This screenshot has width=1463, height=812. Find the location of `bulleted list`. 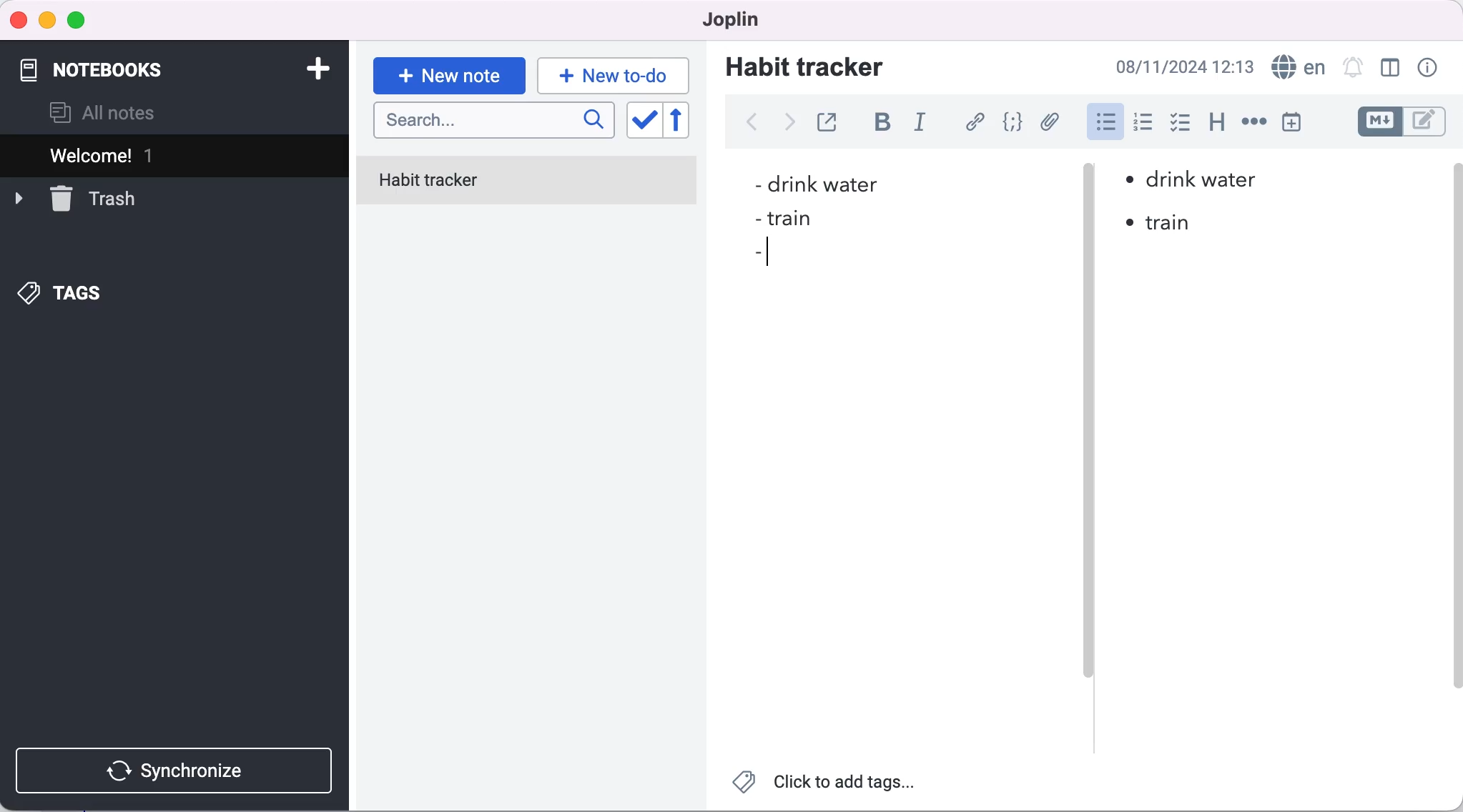

bulleted list is located at coordinates (1103, 124).